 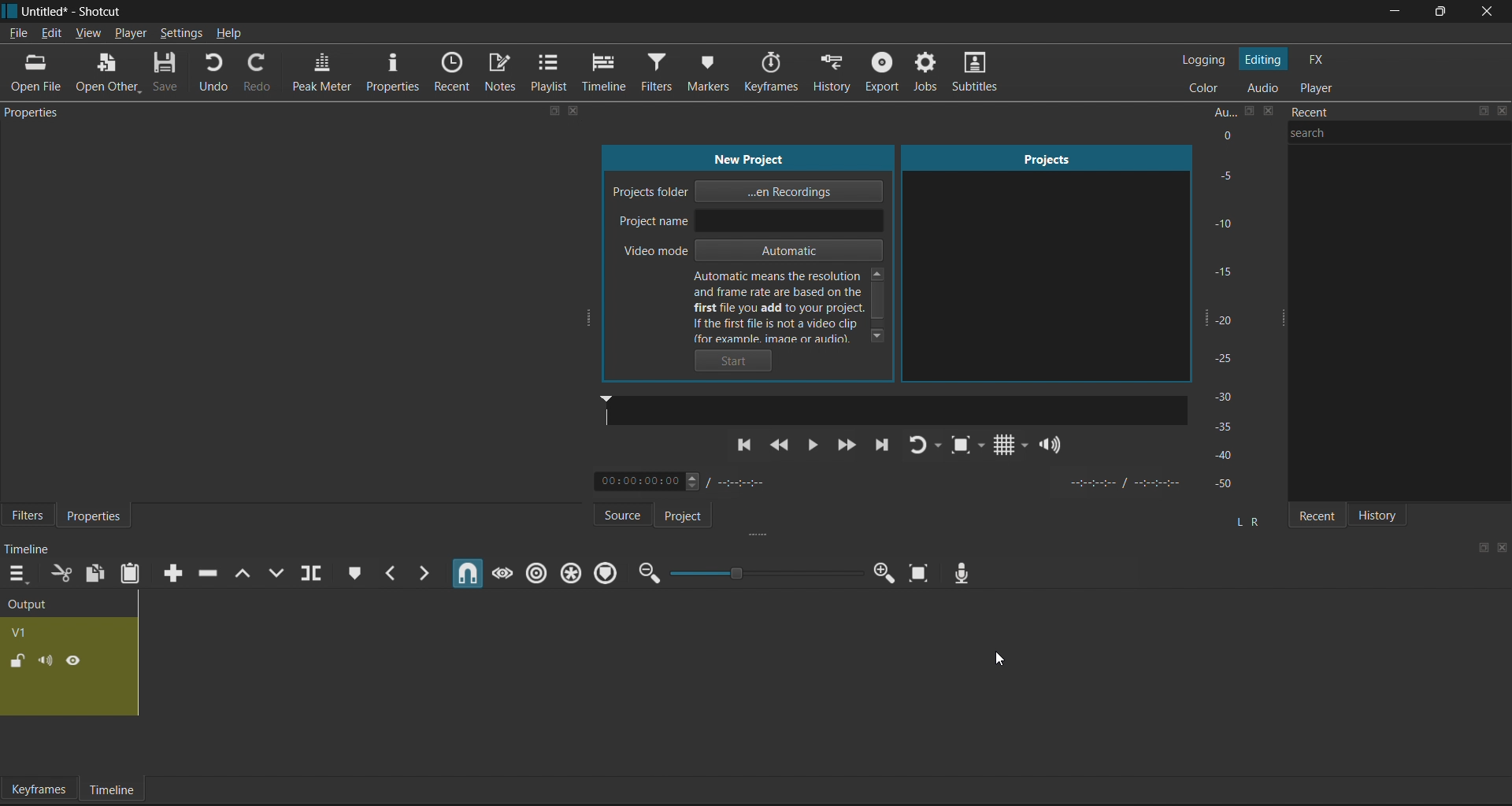 What do you see at coordinates (221, 74) in the screenshot?
I see `Undo` at bounding box center [221, 74].